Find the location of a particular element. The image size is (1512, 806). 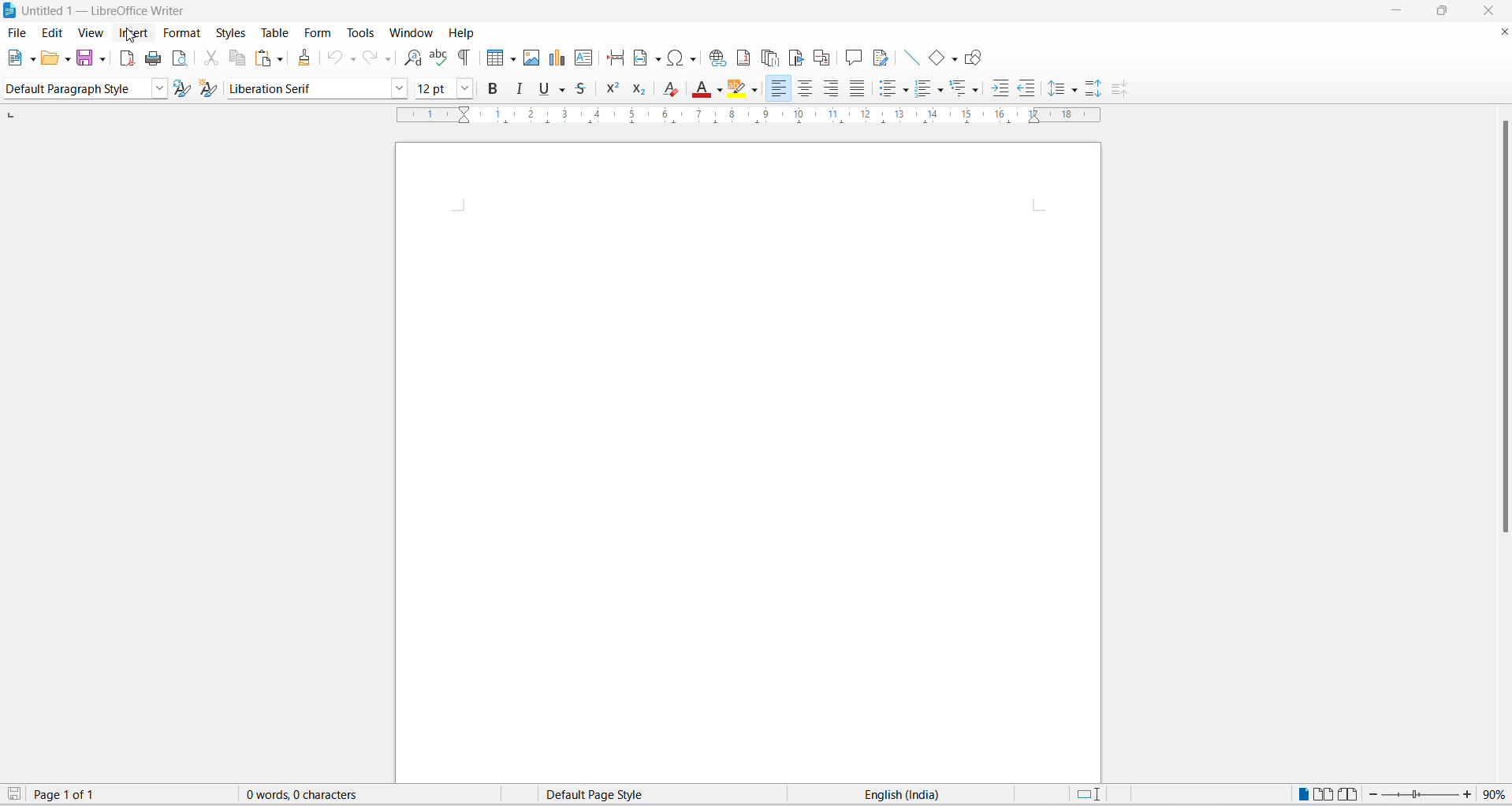

open is located at coordinates (50, 59).